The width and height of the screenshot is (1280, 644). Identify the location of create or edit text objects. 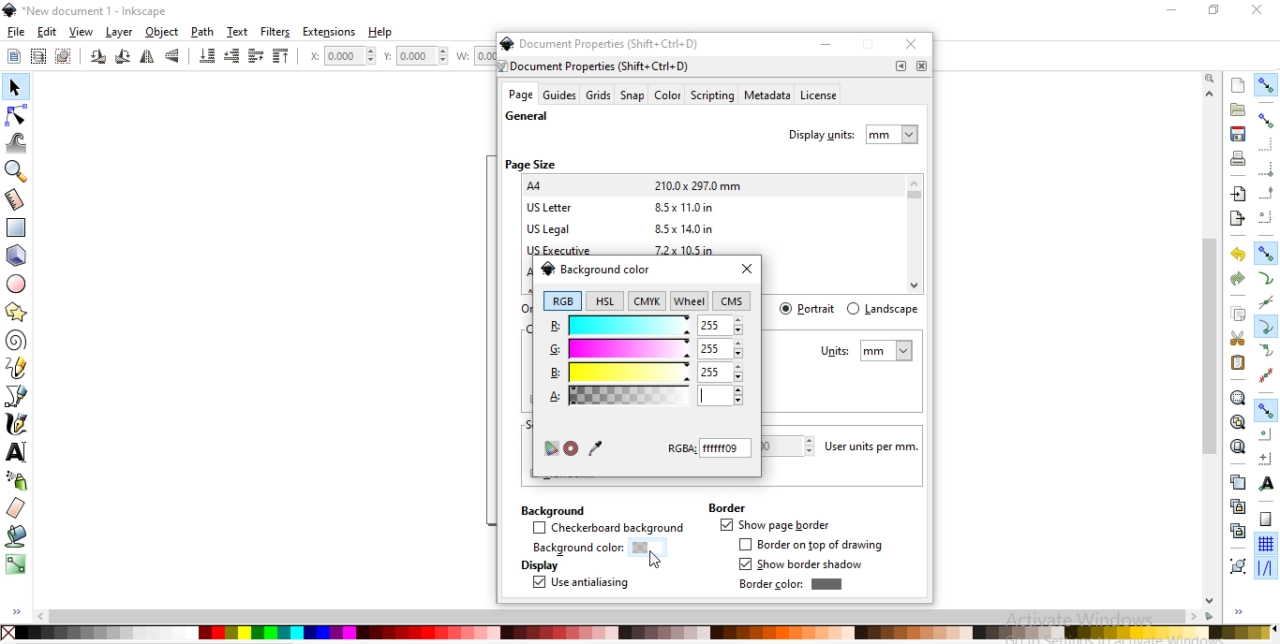
(17, 451).